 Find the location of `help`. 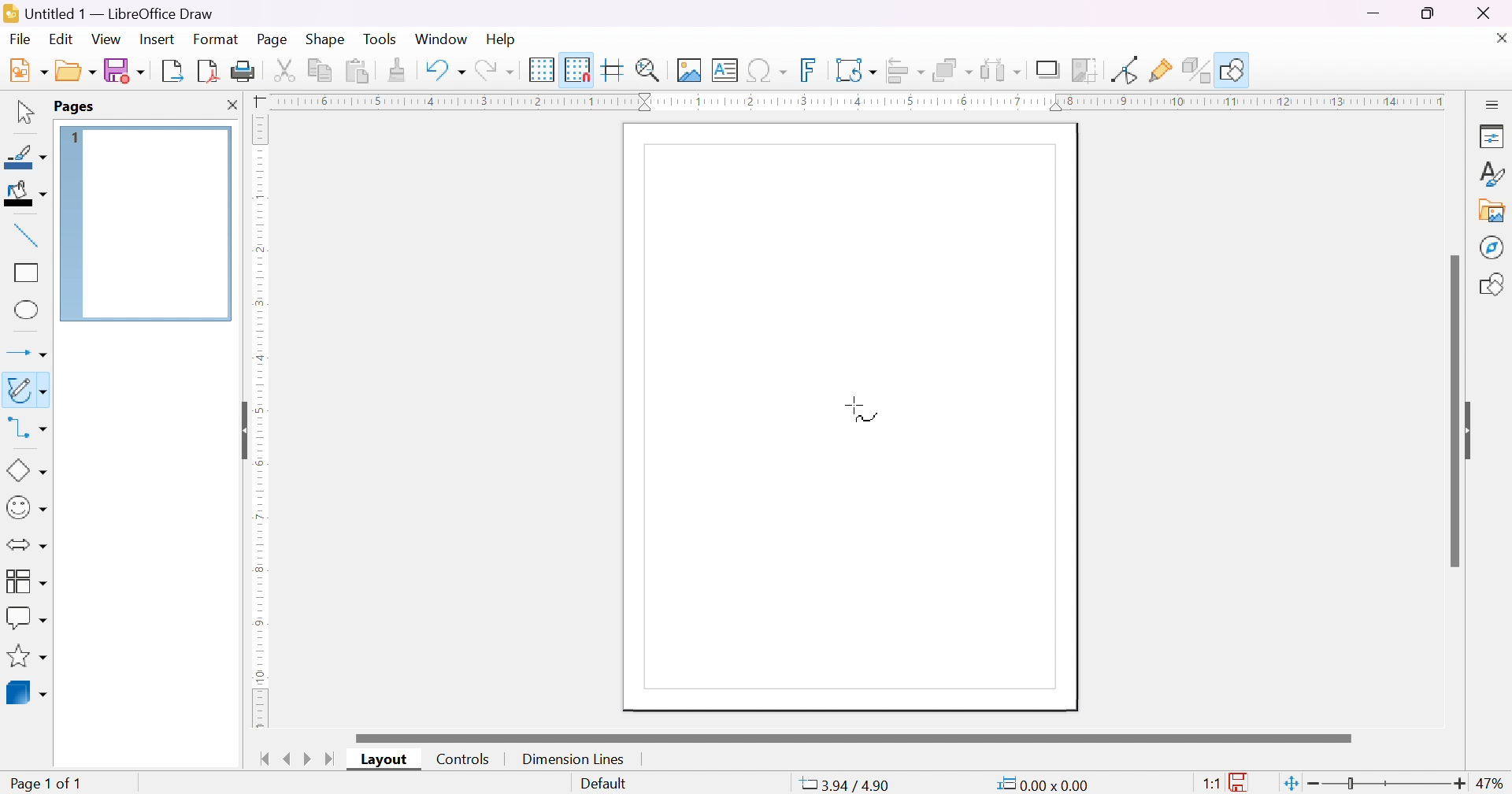

help is located at coordinates (501, 39).